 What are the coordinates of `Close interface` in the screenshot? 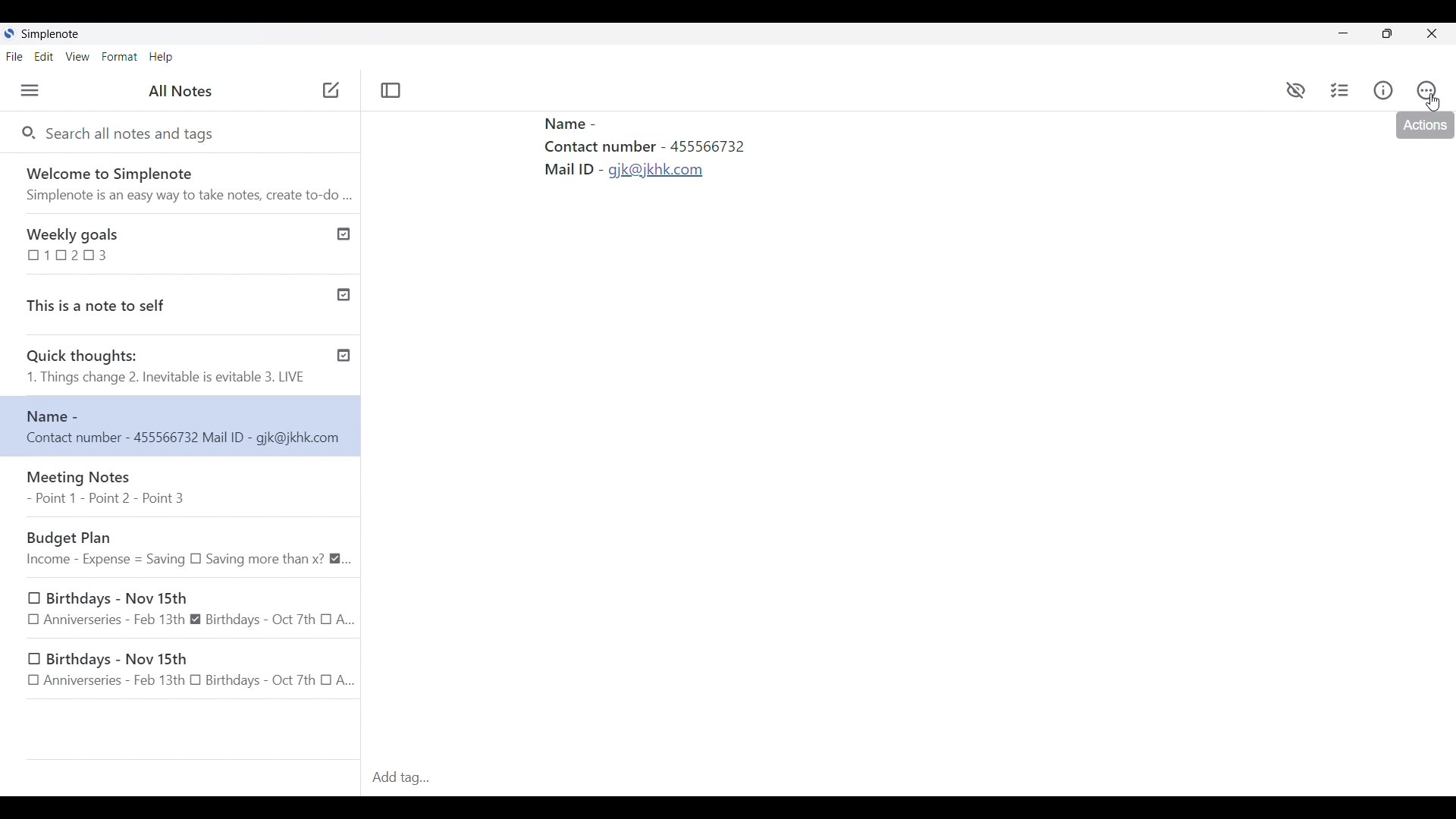 It's located at (1431, 33).